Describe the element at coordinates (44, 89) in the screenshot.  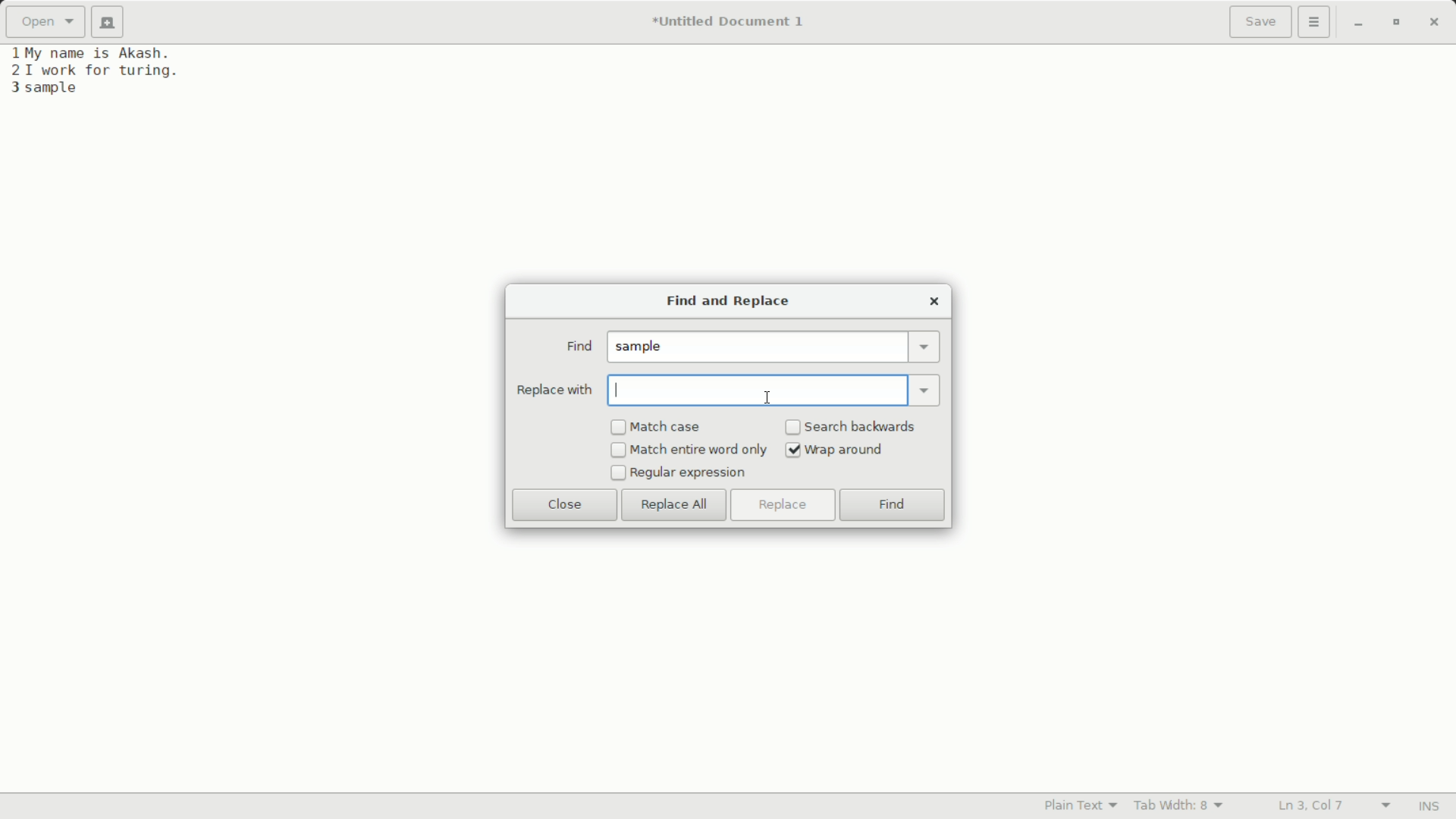
I see `3 sample` at that location.